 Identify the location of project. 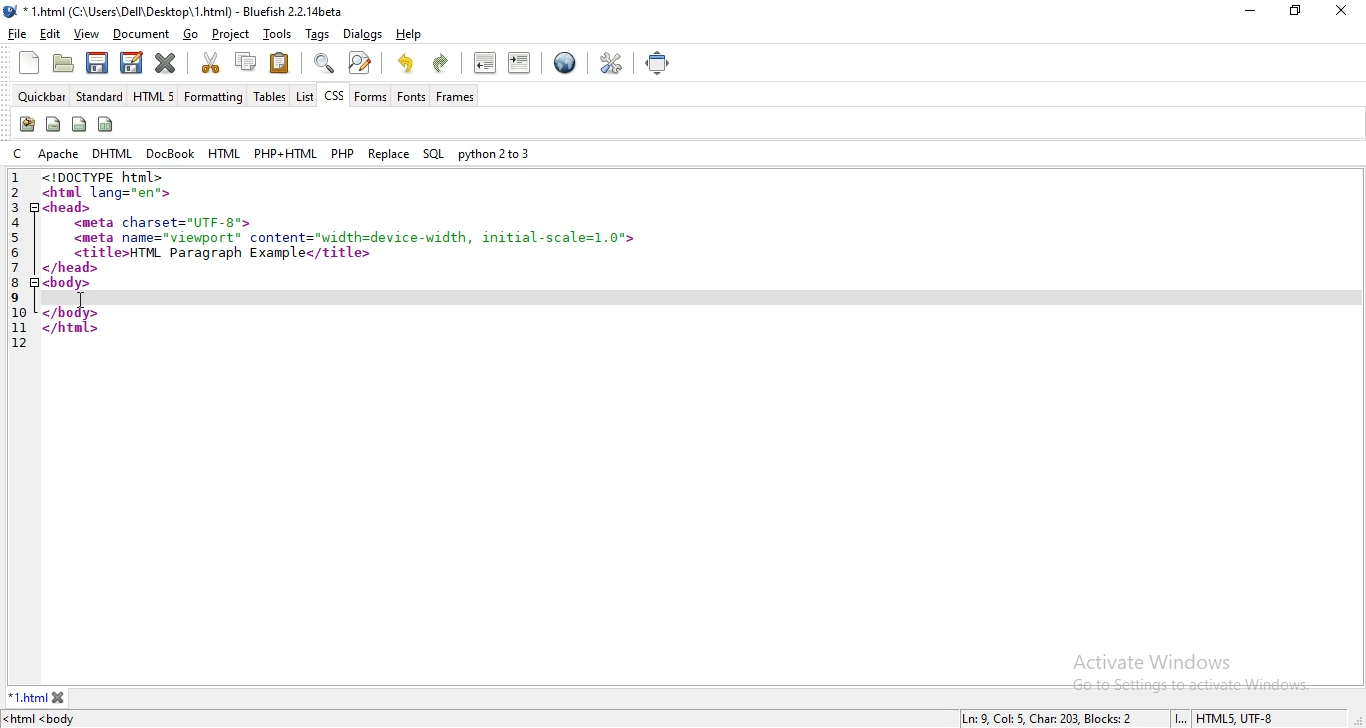
(229, 32).